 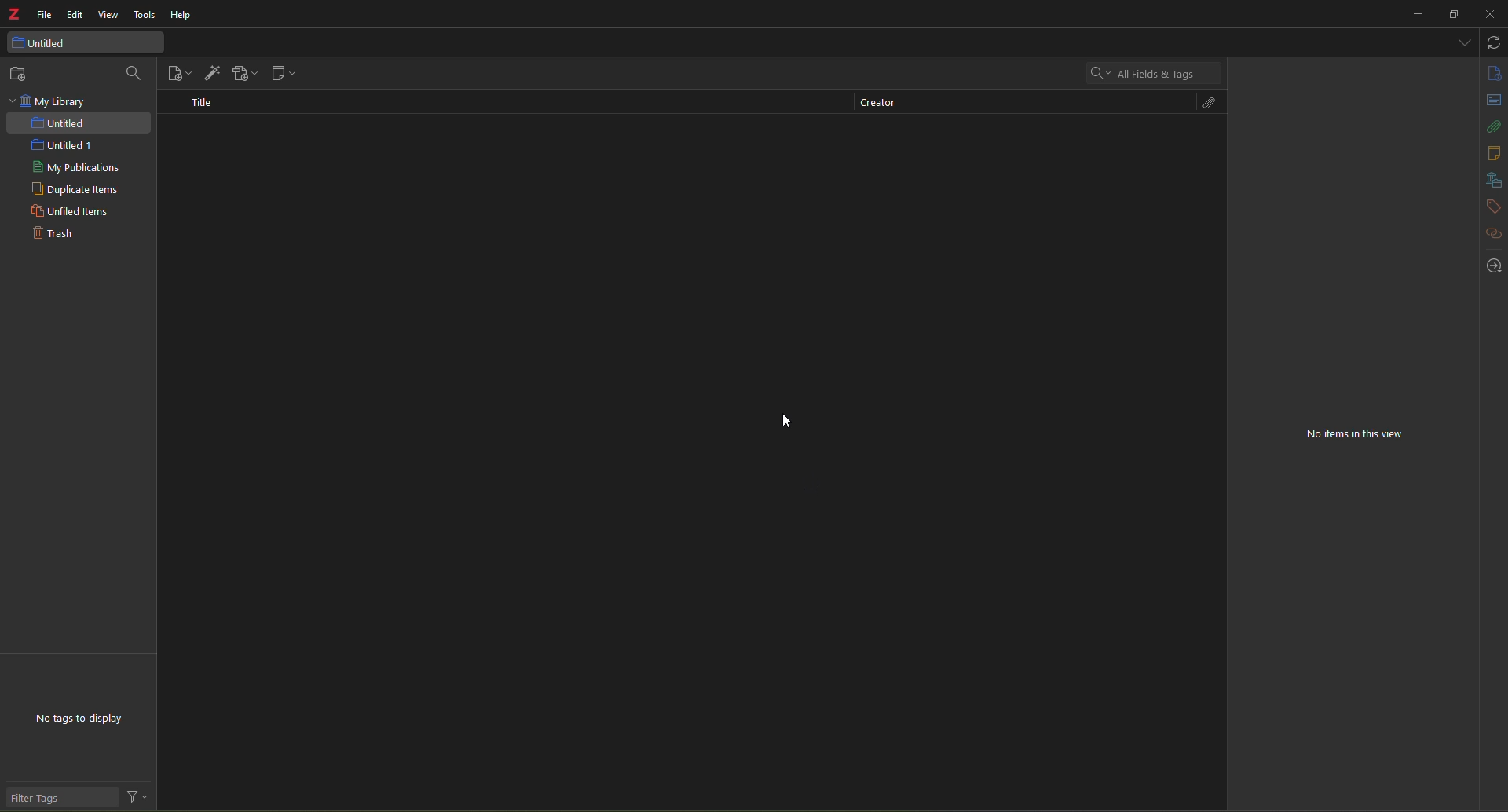 What do you see at coordinates (1448, 209) in the screenshot?
I see `add` at bounding box center [1448, 209].